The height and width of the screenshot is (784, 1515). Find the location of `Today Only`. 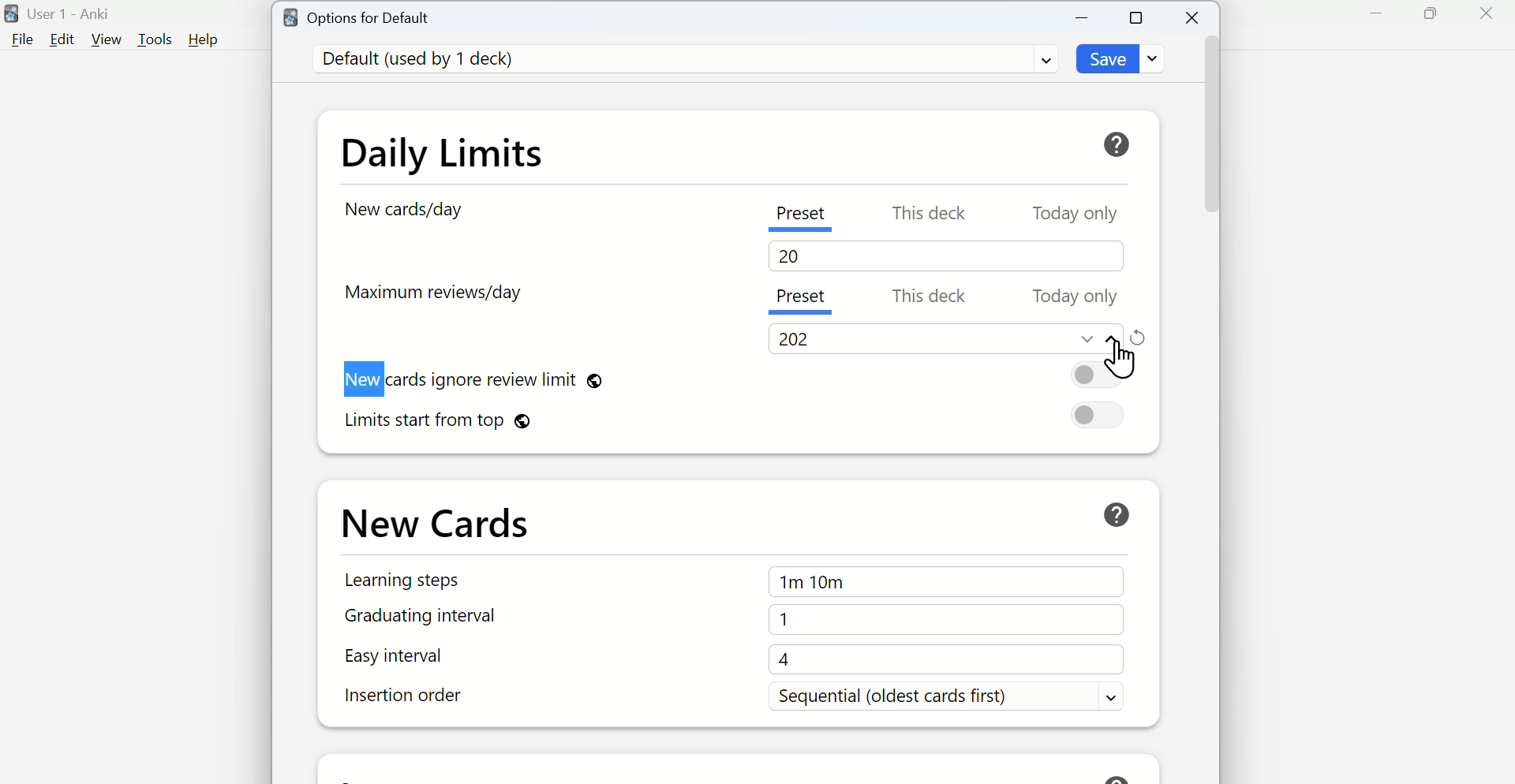

Today Only is located at coordinates (1074, 217).